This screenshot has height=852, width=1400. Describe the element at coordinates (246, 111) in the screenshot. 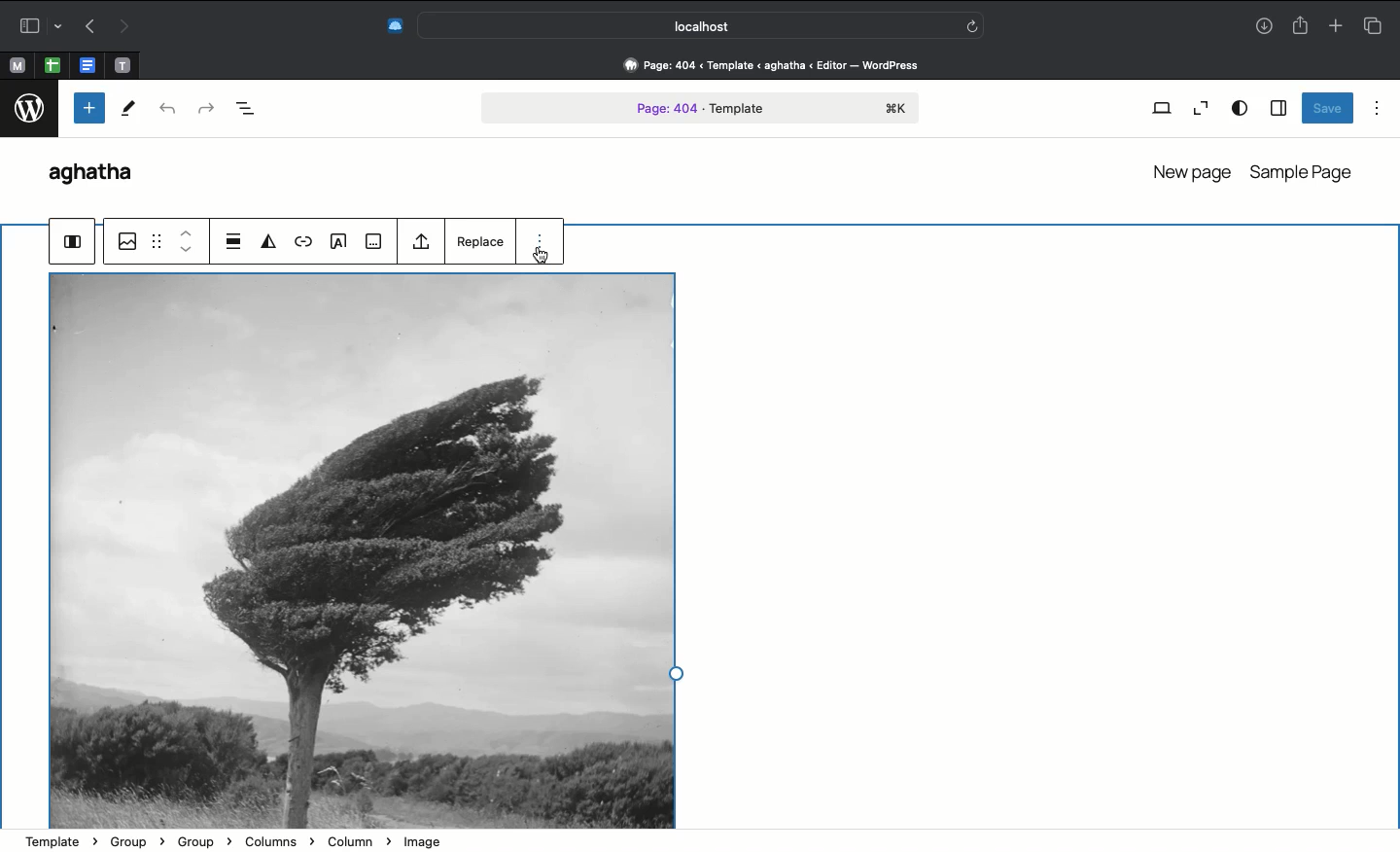

I see `Document overview` at that location.